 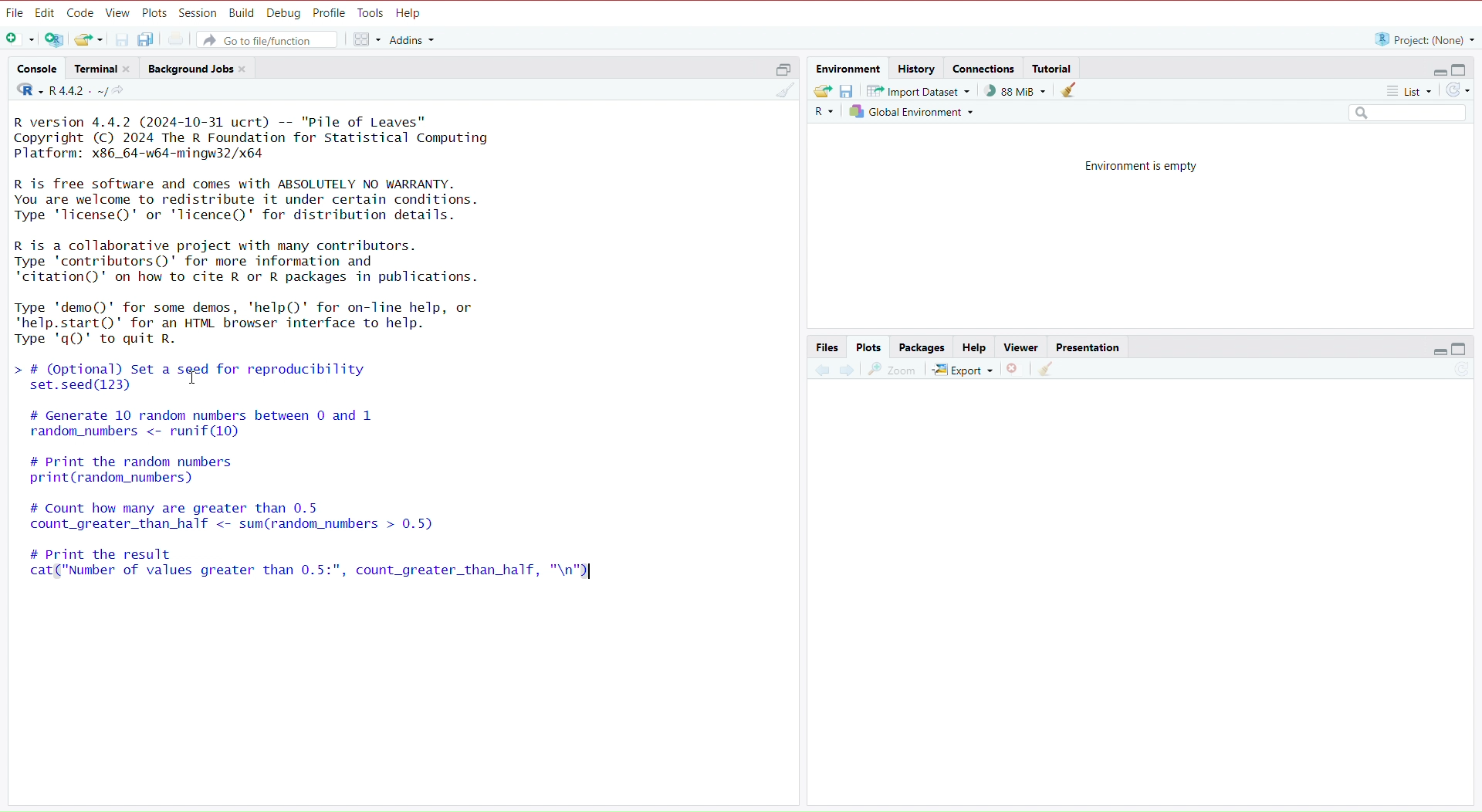 I want to click on Half height, so click(x=783, y=67).